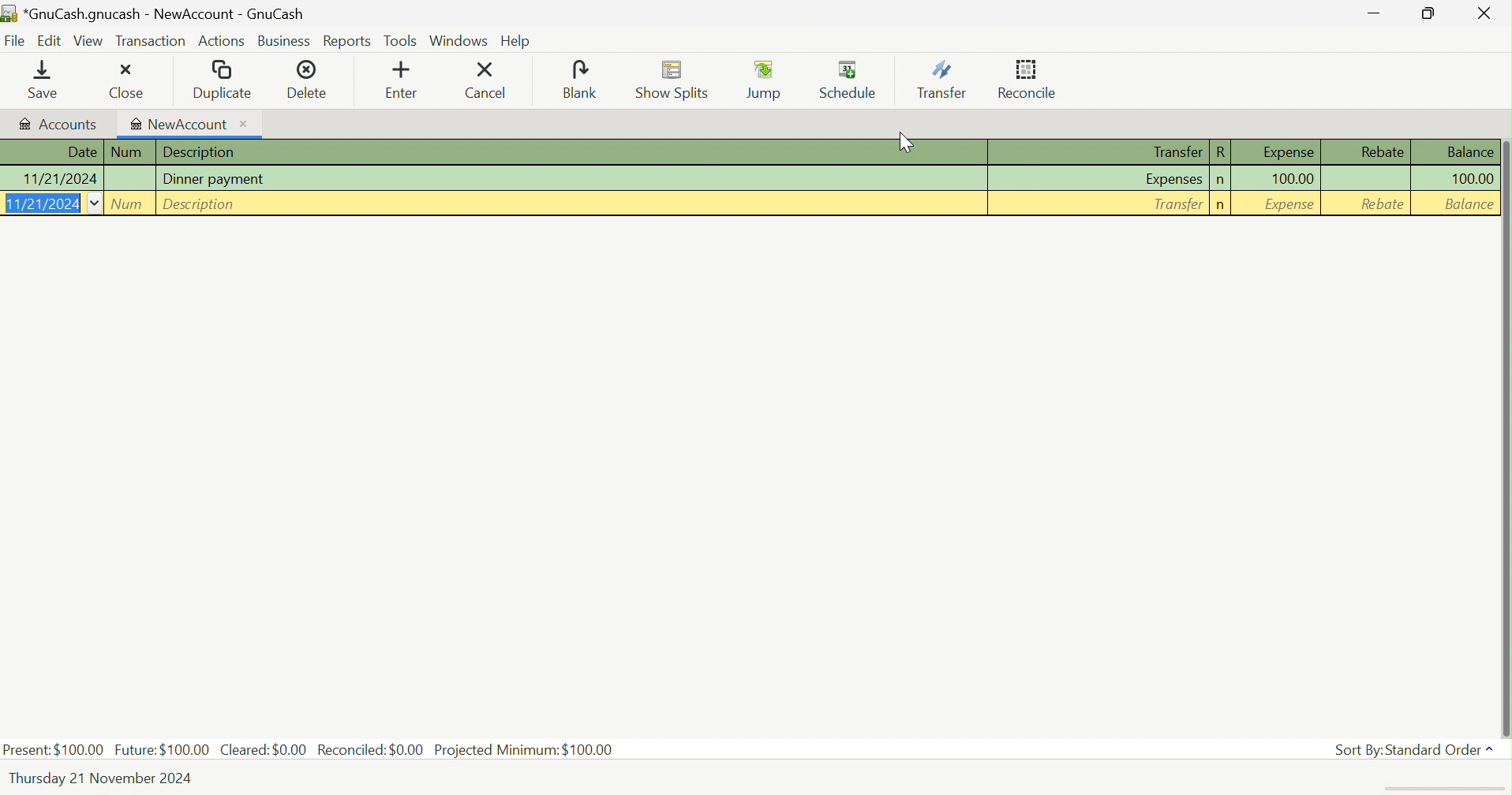  Describe the element at coordinates (941, 80) in the screenshot. I see `Transfer` at that location.